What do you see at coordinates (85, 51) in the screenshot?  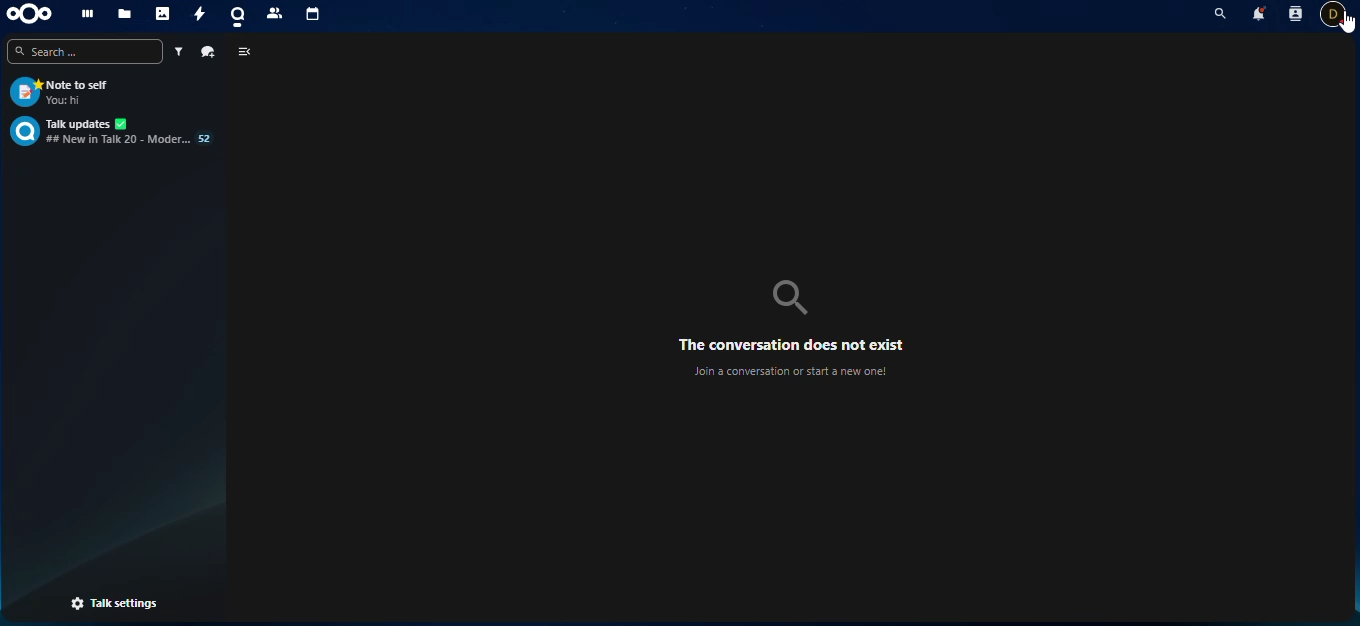 I see `search box` at bounding box center [85, 51].